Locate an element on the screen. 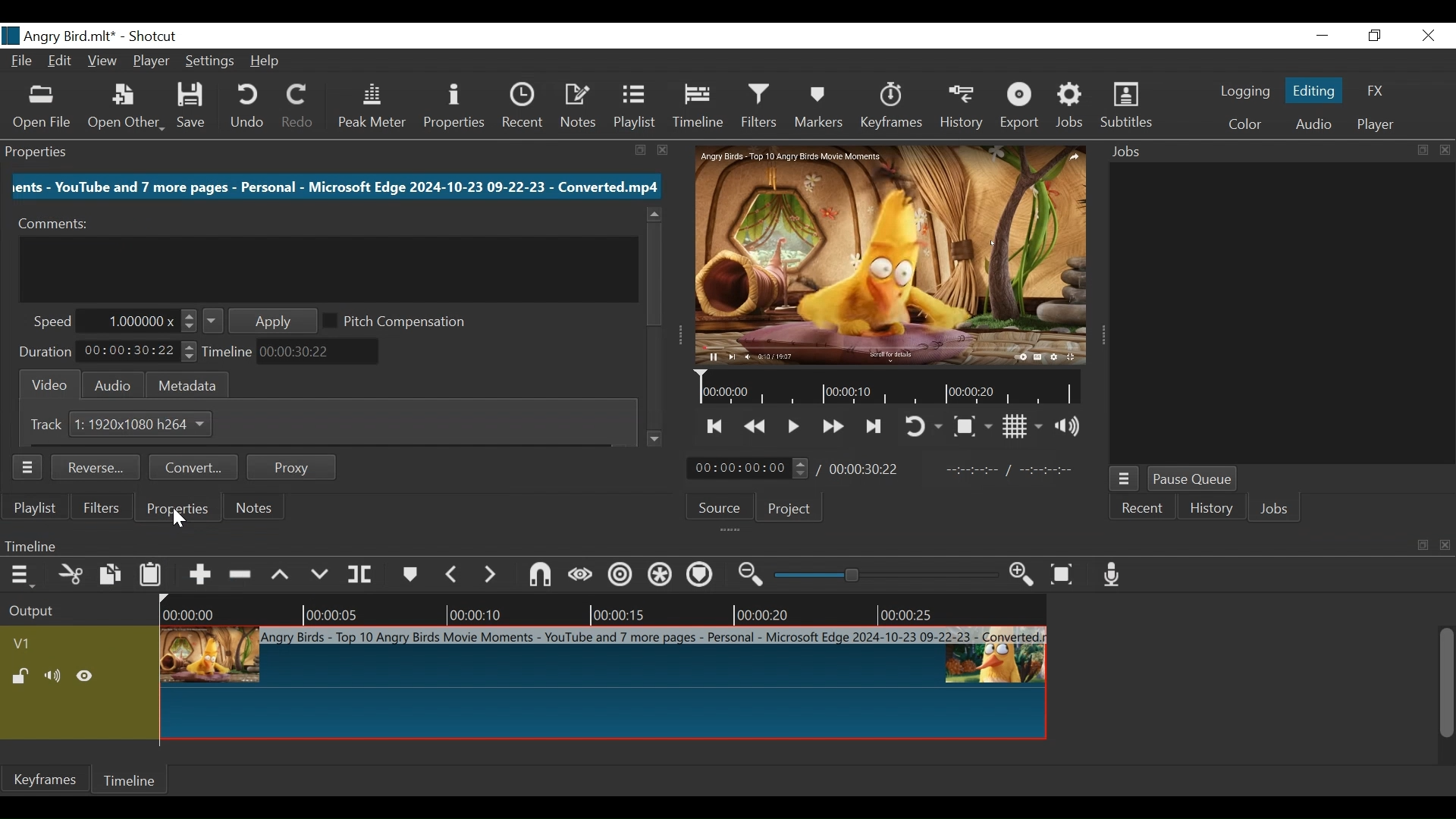 The image size is (1456, 819). Filters is located at coordinates (101, 510).